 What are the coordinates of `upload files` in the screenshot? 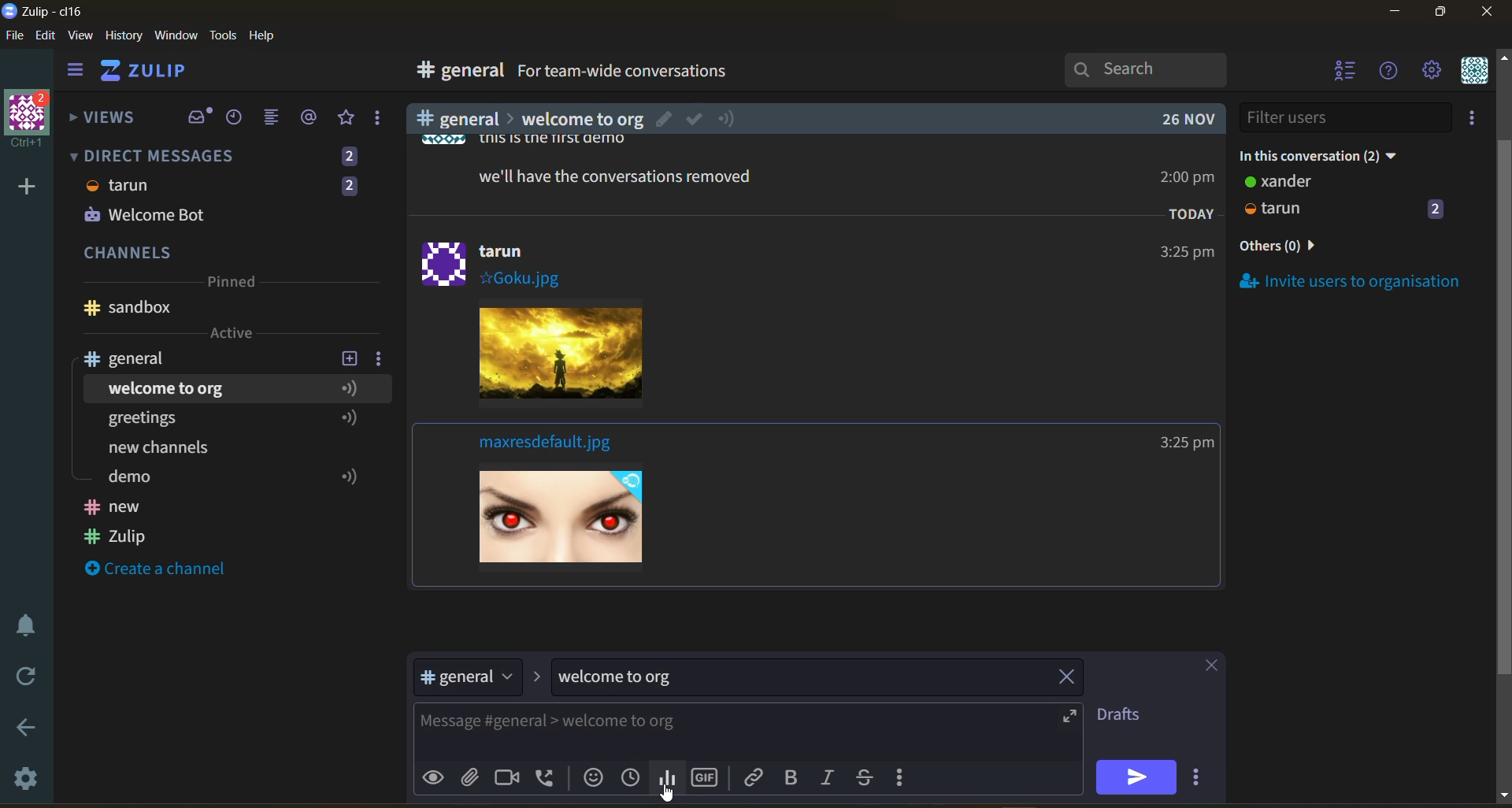 It's located at (475, 775).